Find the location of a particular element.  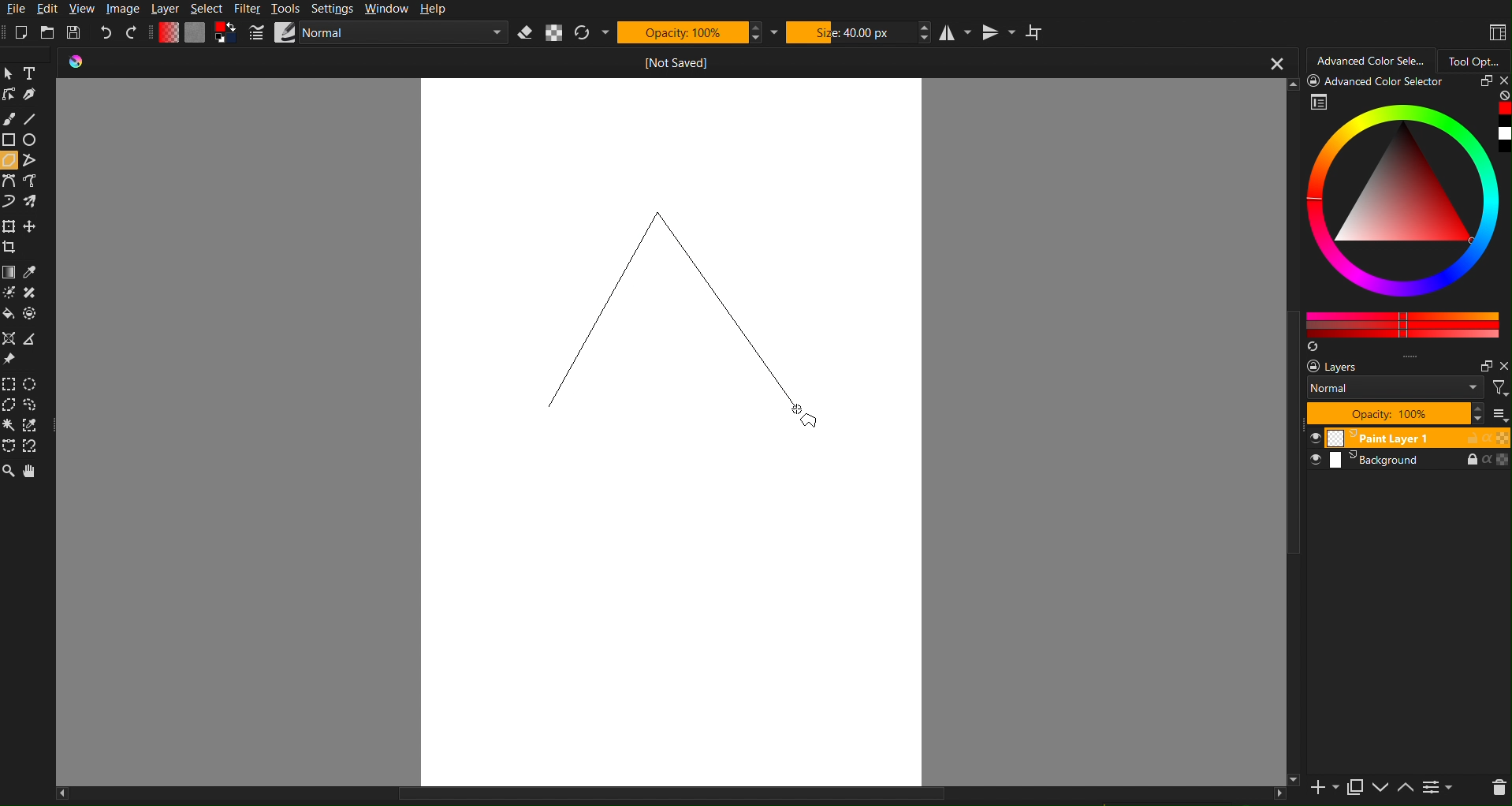

Save is located at coordinates (76, 32).